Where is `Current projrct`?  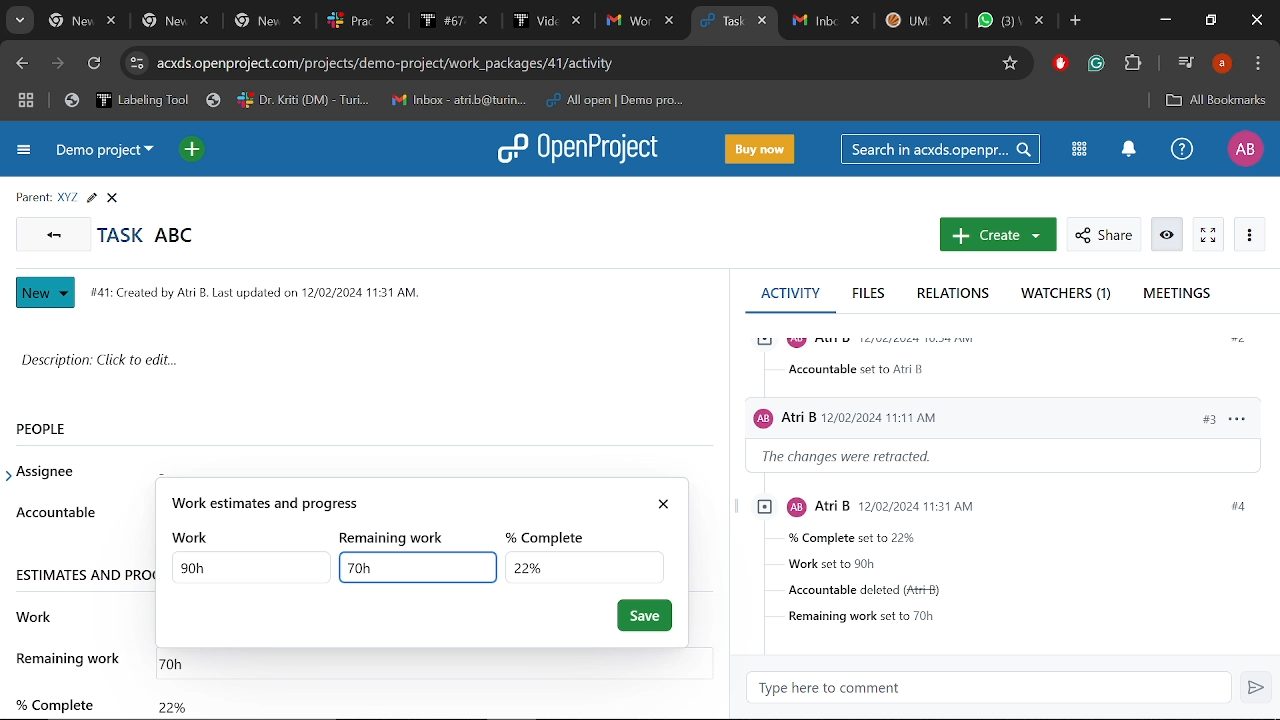
Current projrct is located at coordinates (107, 154).